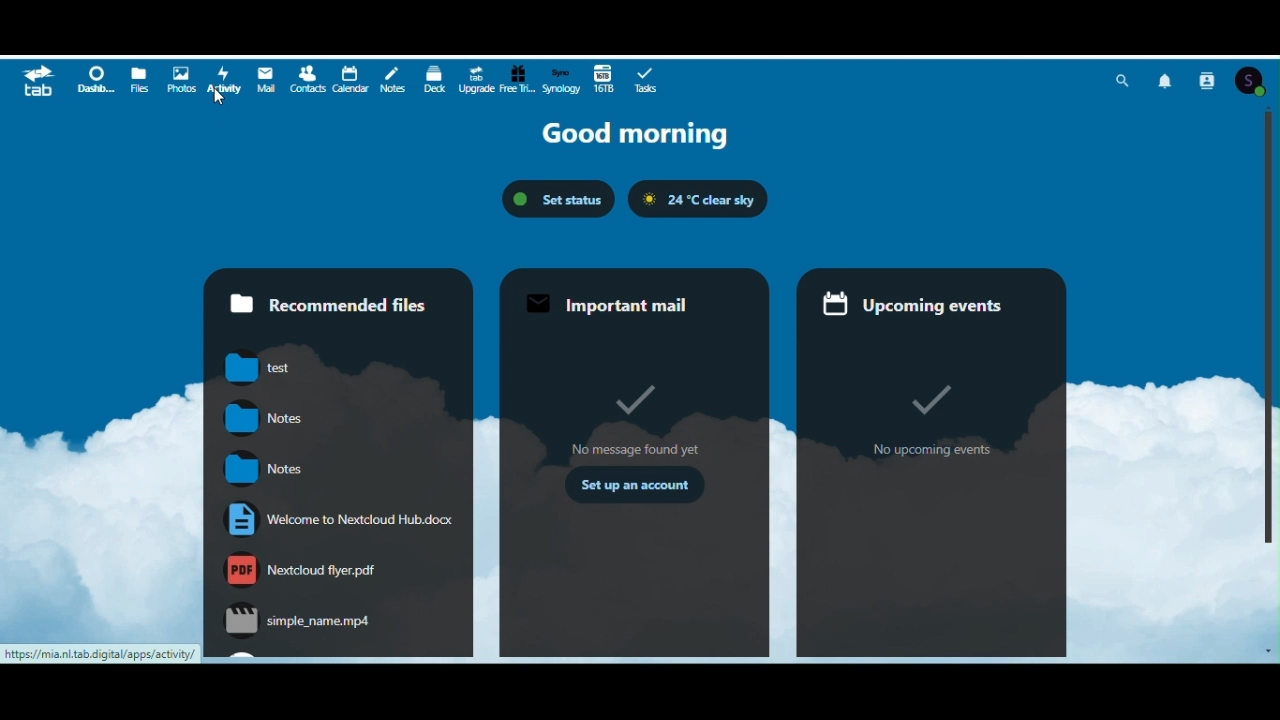  What do you see at coordinates (309, 79) in the screenshot?
I see `Contacts` at bounding box center [309, 79].